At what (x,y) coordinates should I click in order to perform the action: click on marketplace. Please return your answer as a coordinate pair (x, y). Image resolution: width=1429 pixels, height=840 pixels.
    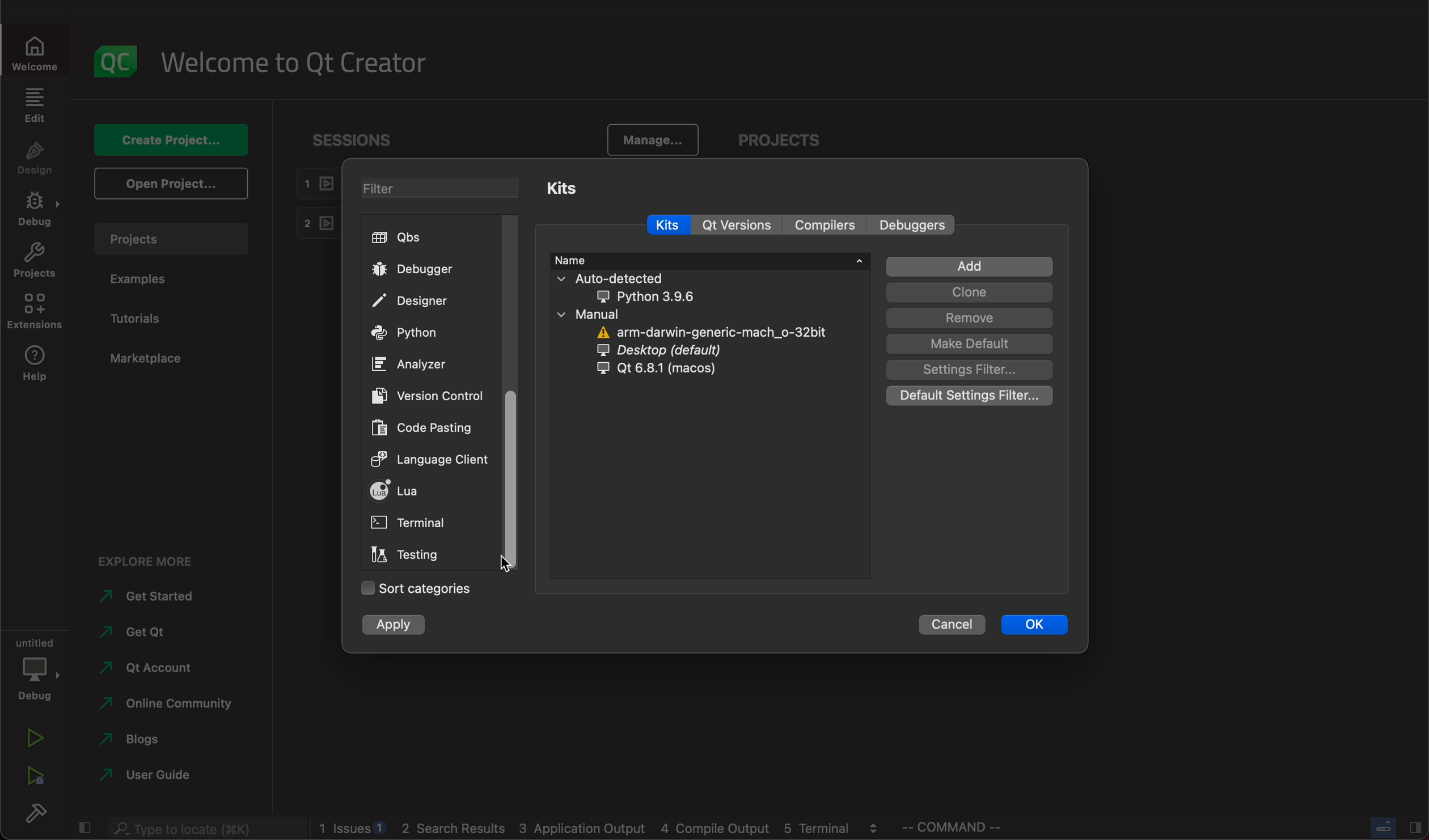
    Looking at the image, I should click on (146, 360).